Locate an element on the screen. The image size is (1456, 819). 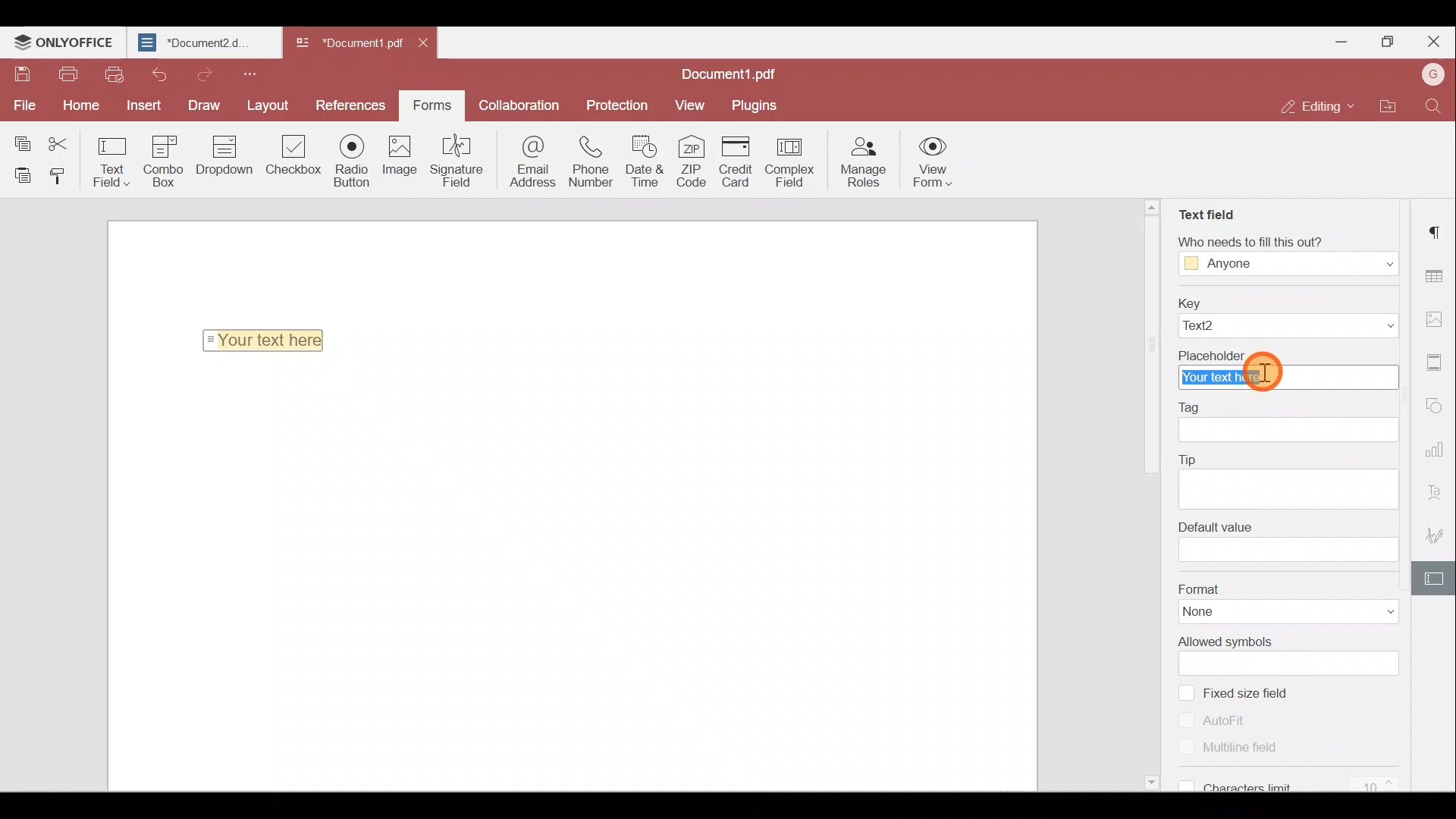
Default value field is located at coordinates (1290, 551).